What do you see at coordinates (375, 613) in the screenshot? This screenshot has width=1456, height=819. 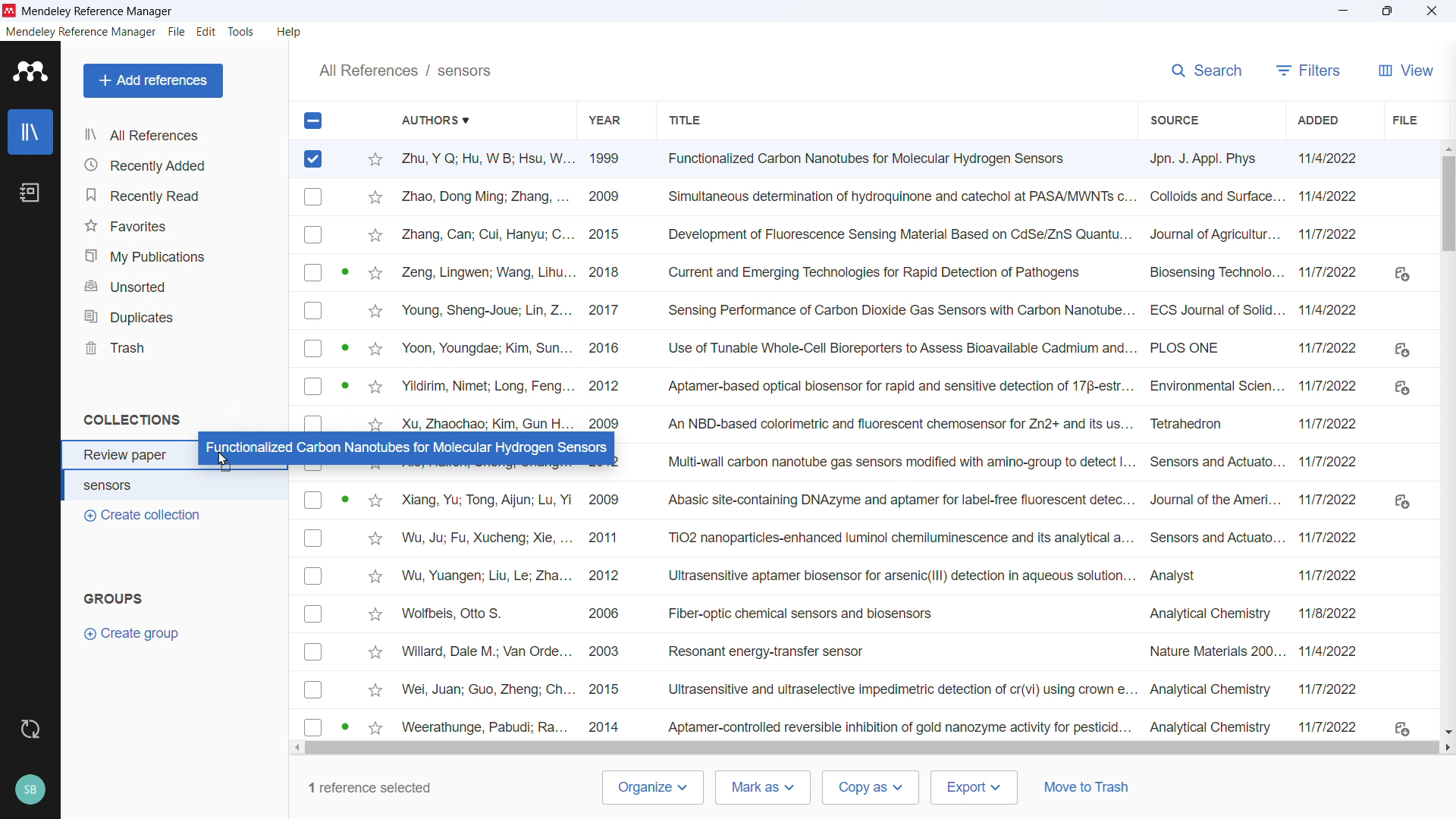 I see `Star Mark Individual entries ` at bounding box center [375, 613].